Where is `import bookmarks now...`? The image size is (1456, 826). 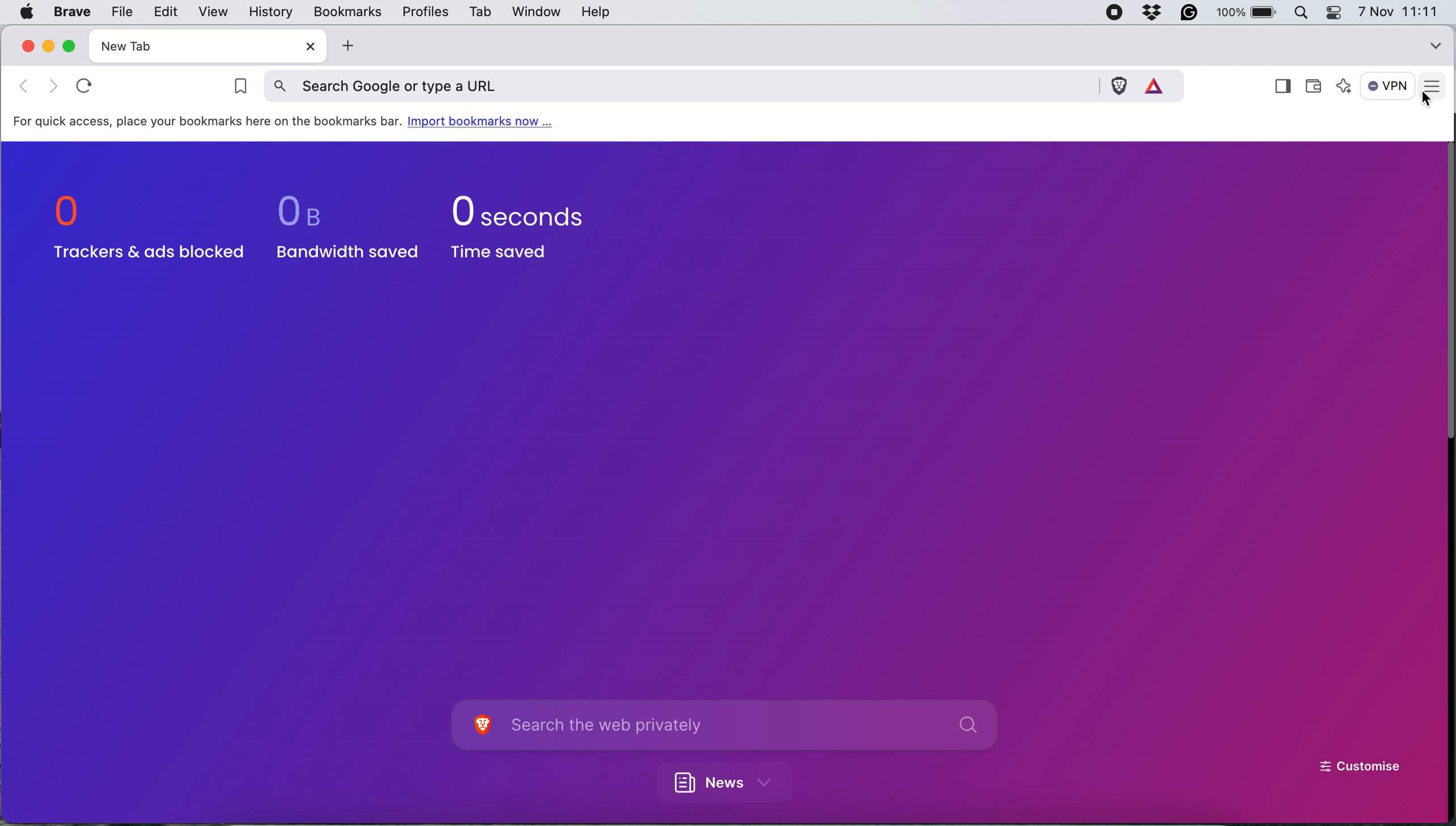
import bookmarks now... is located at coordinates (488, 123).